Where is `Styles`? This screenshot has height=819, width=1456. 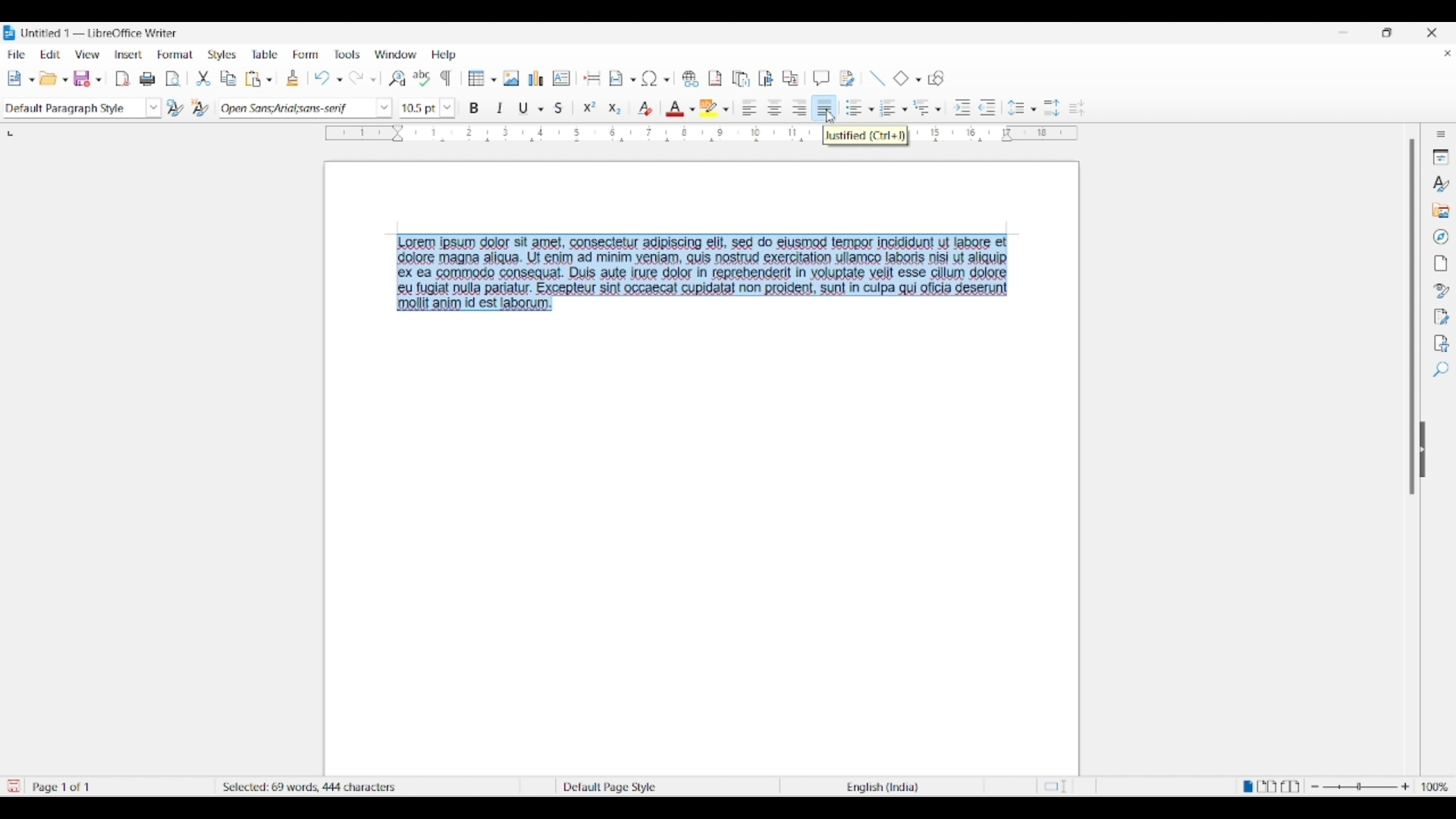
Styles is located at coordinates (221, 55).